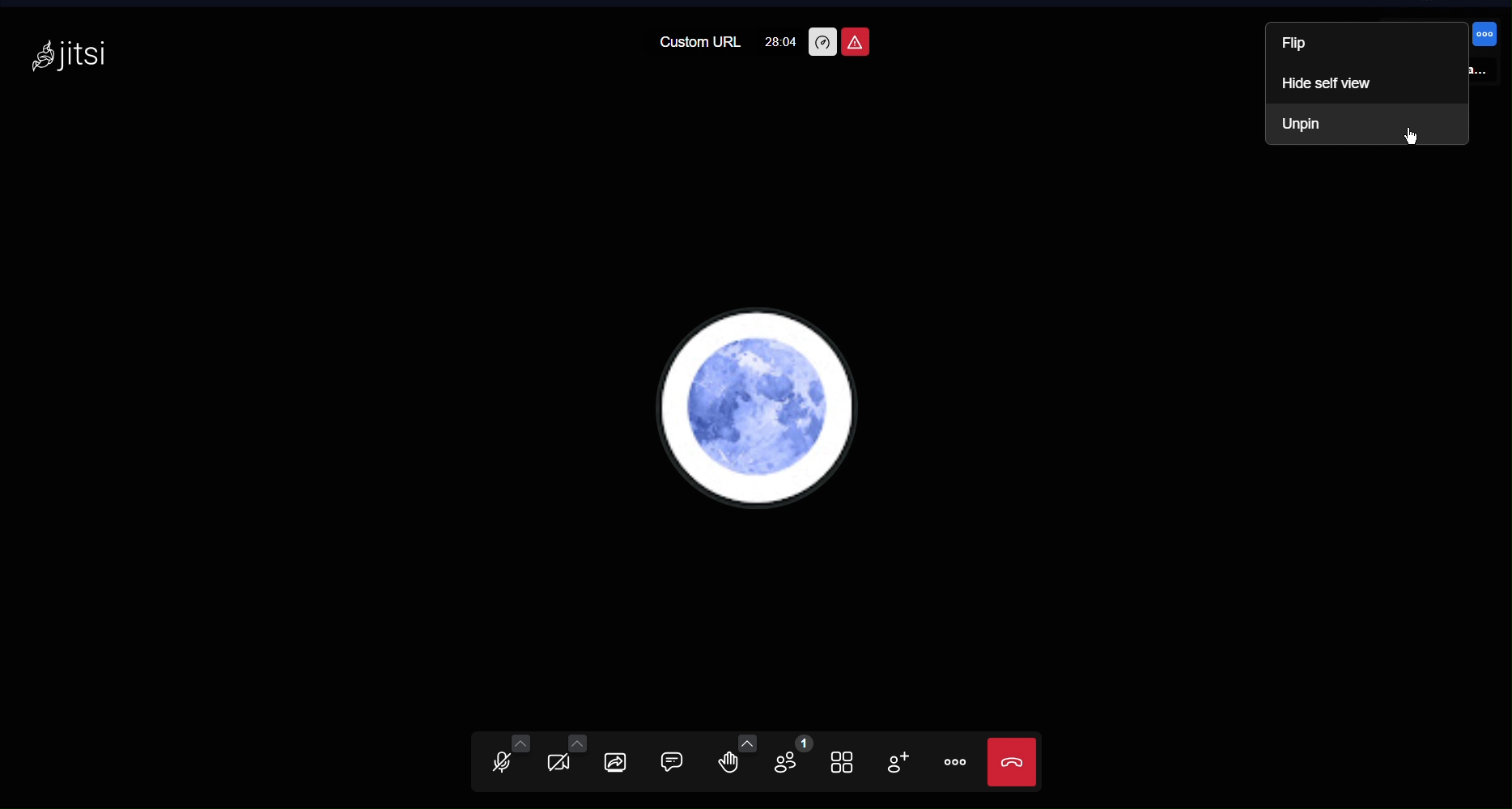 This screenshot has width=1512, height=809. What do you see at coordinates (903, 763) in the screenshot?
I see `Add Participant` at bounding box center [903, 763].